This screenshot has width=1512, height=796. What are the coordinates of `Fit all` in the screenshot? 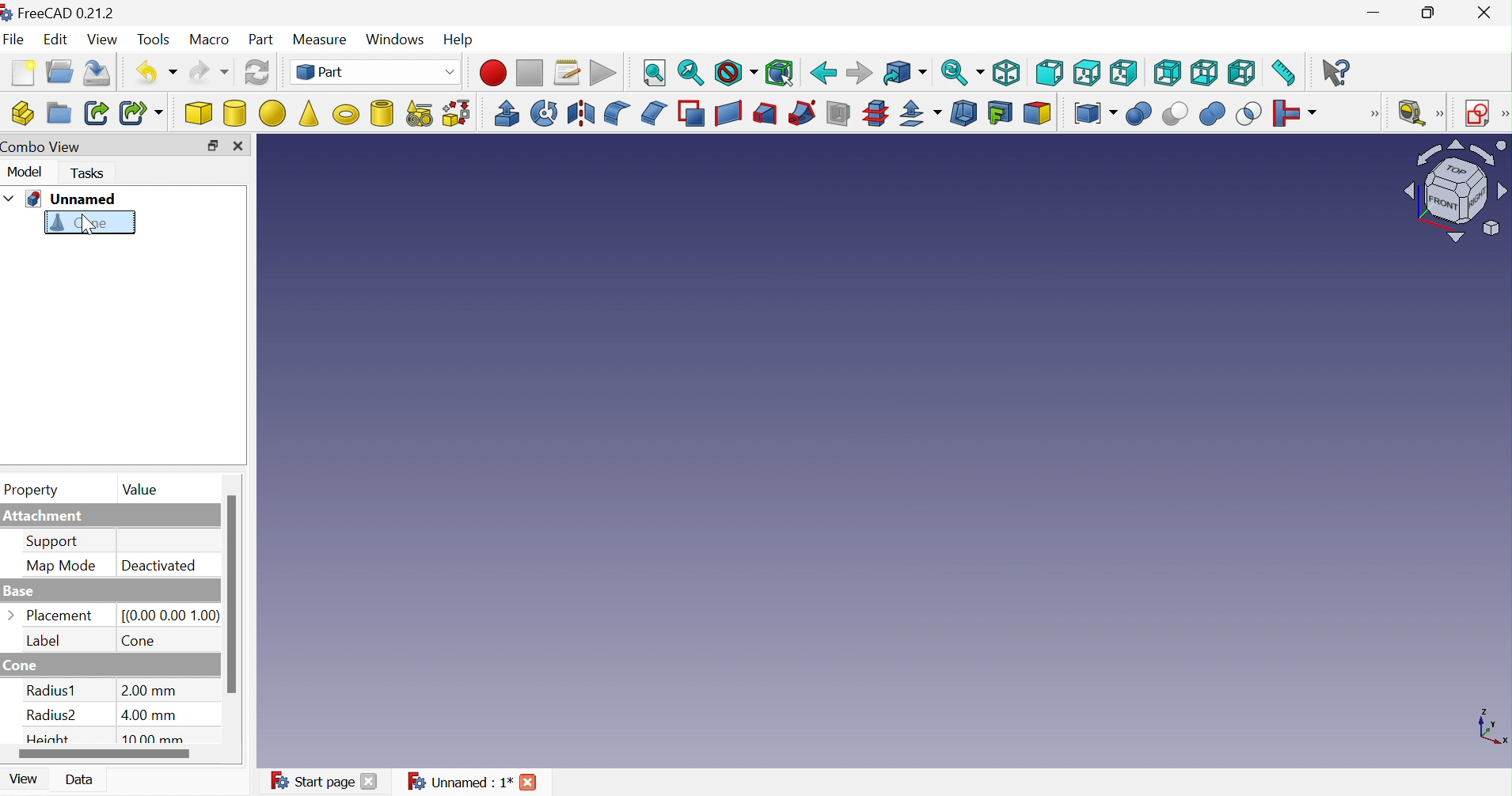 It's located at (655, 74).